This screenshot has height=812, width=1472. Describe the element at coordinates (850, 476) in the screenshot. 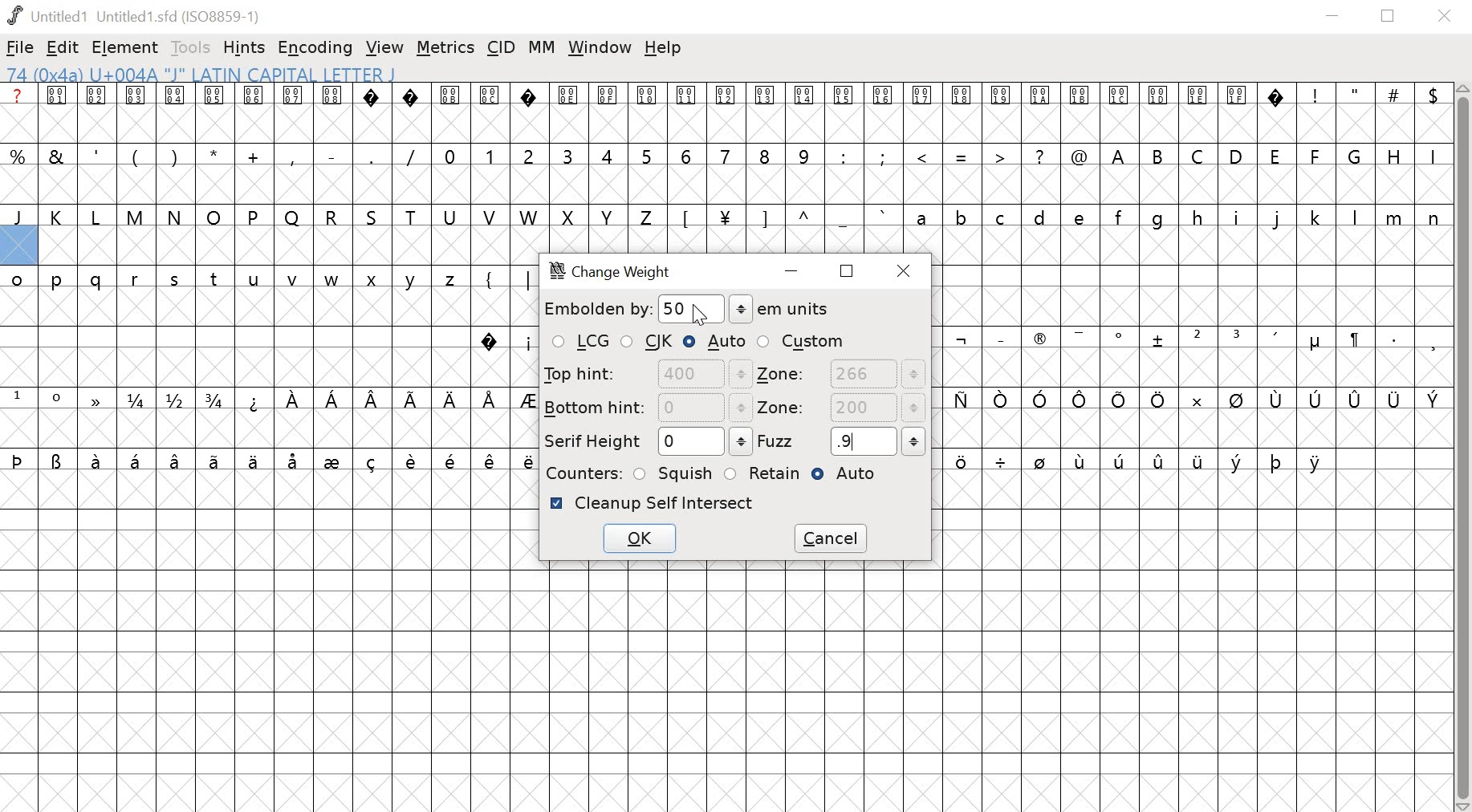

I see `AUTO` at that location.